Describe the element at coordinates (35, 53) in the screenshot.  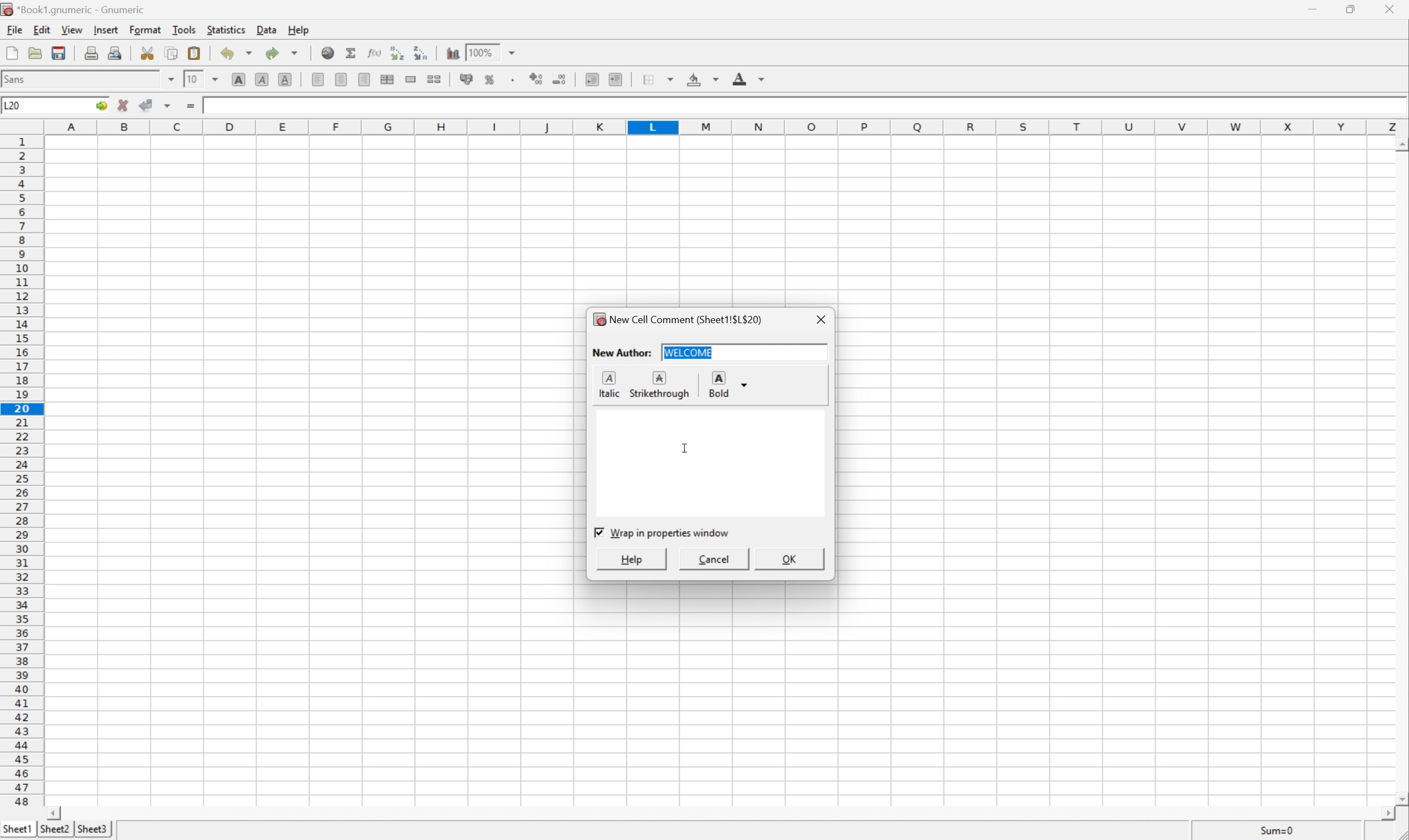
I see `Open a file` at that location.